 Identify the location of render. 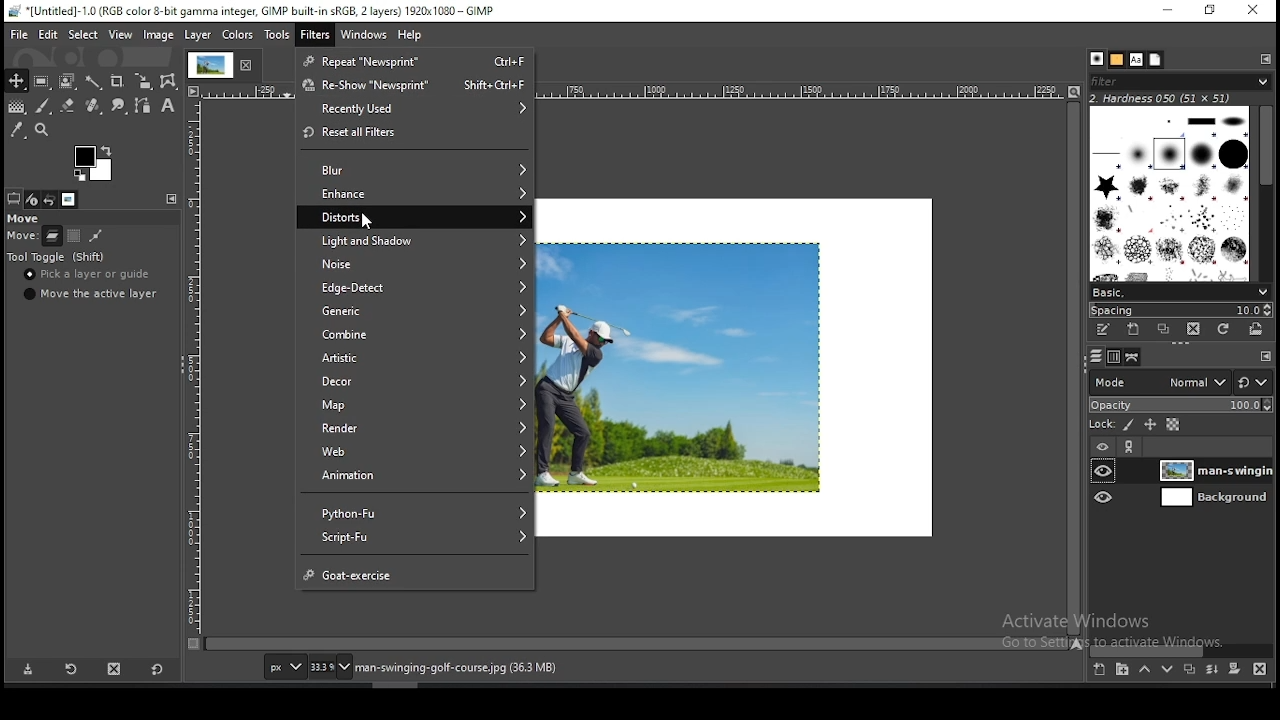
(413, 429).